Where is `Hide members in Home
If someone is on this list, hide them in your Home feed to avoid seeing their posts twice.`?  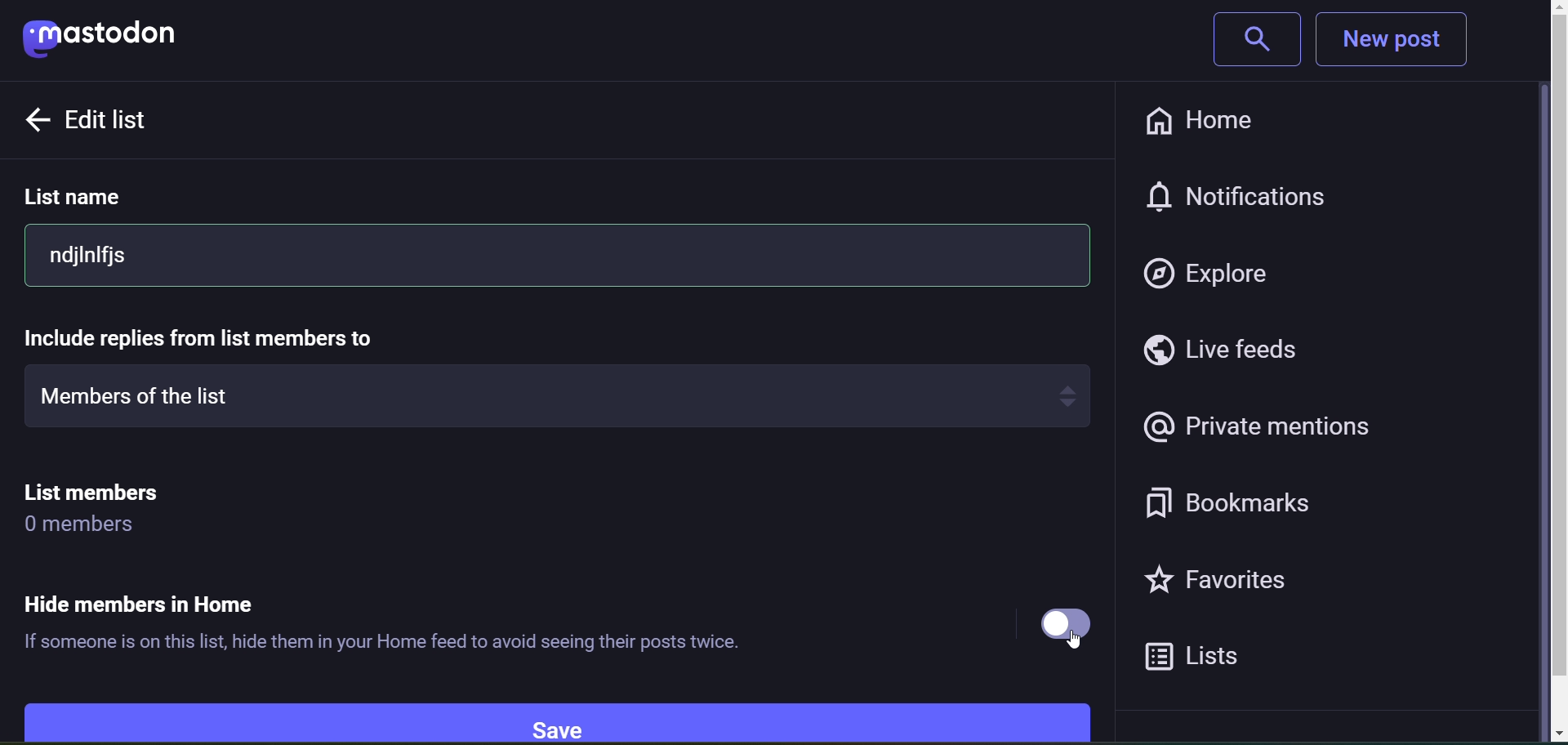
Hide members in Home
If someone is on this list, hide them in your Home feed to avoid seeing their posts twice. is located at coordinates (403, 627).